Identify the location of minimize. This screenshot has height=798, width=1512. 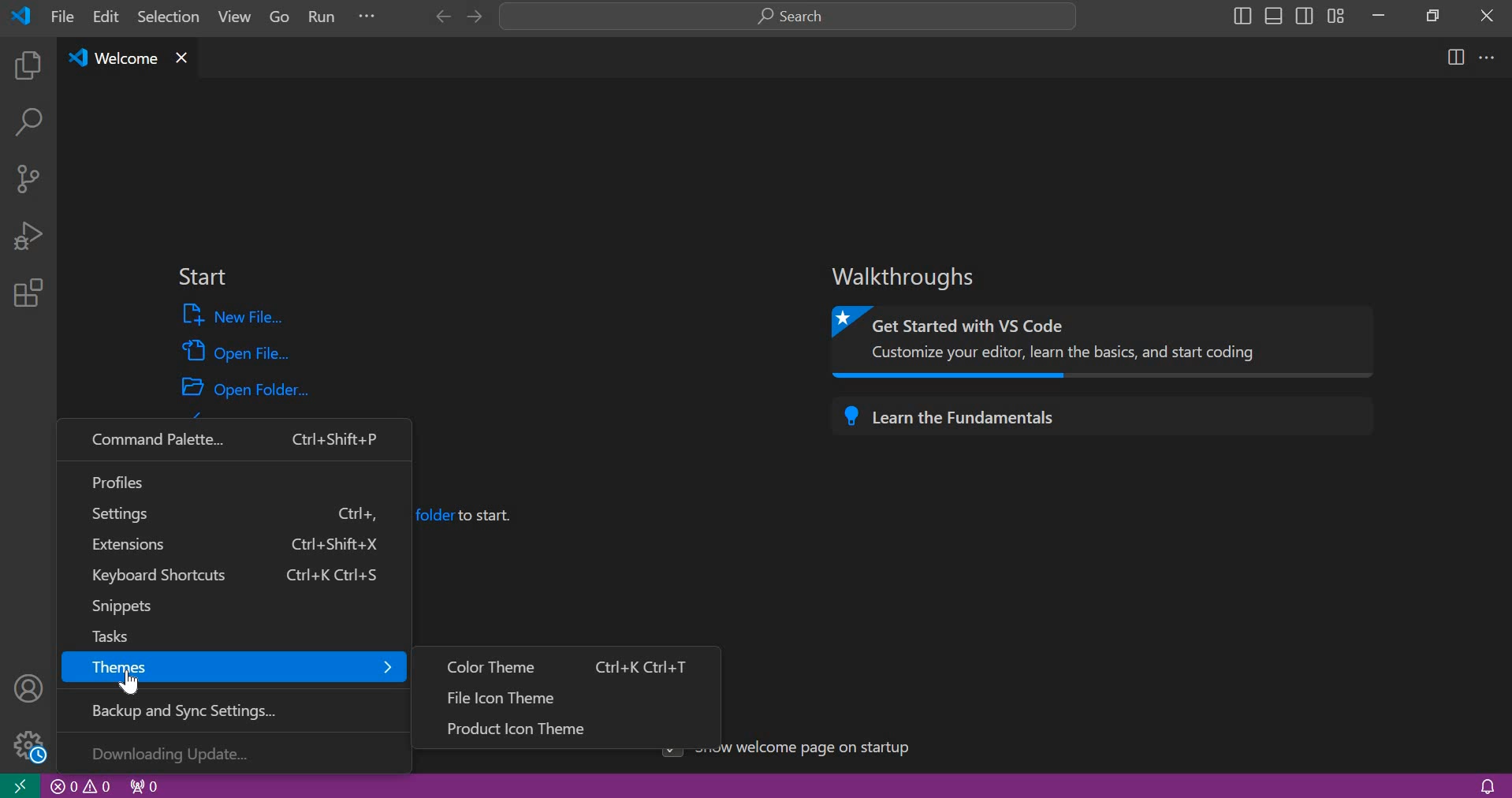
(1378, 15).